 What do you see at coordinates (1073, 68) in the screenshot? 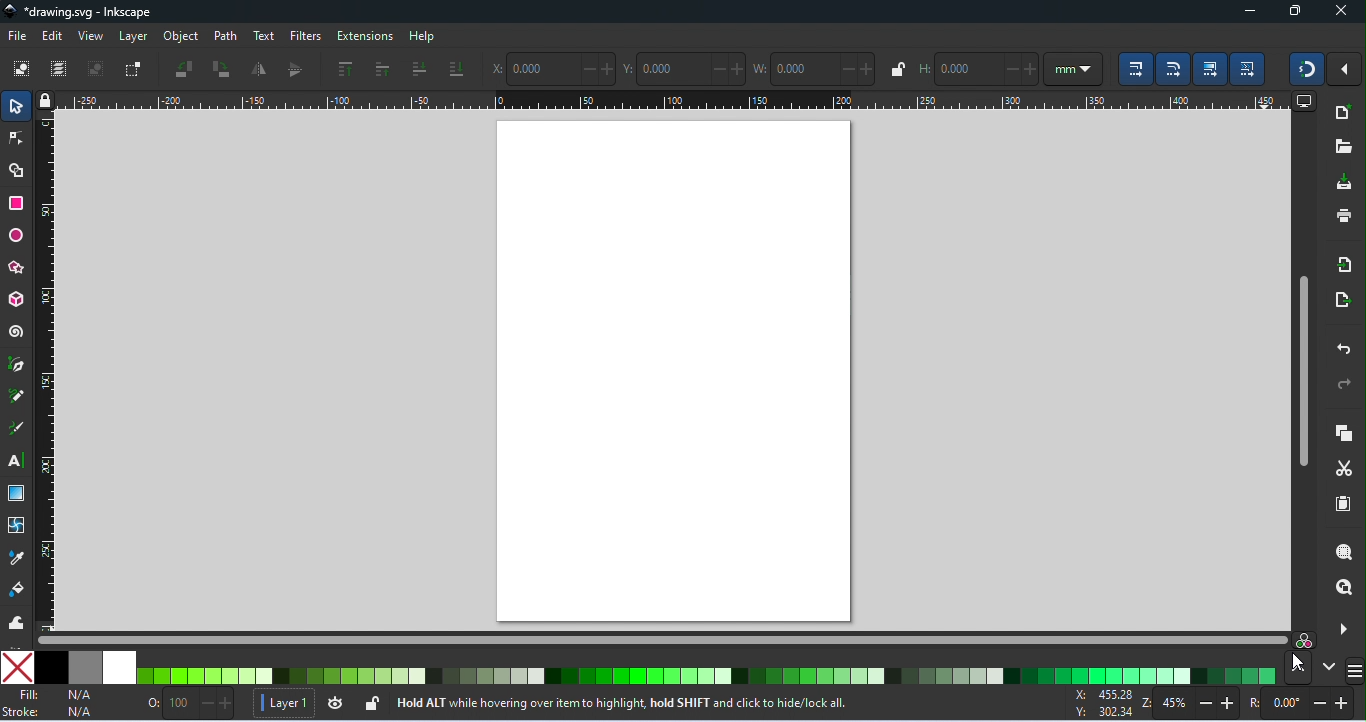
I see `select object parameters` at bounding box center [1073, 68].